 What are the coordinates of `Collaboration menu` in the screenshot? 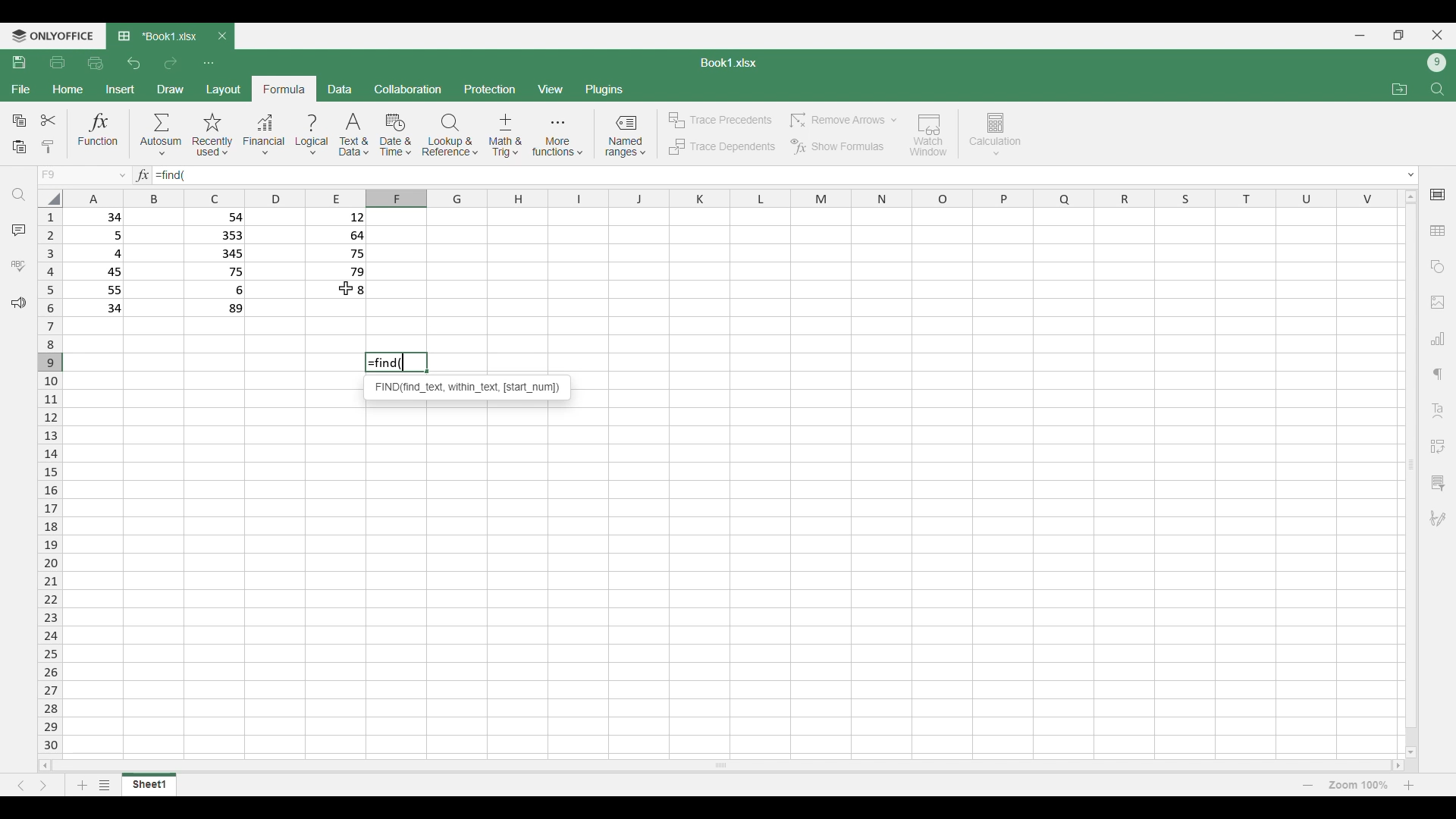 It's located at (409, 89).